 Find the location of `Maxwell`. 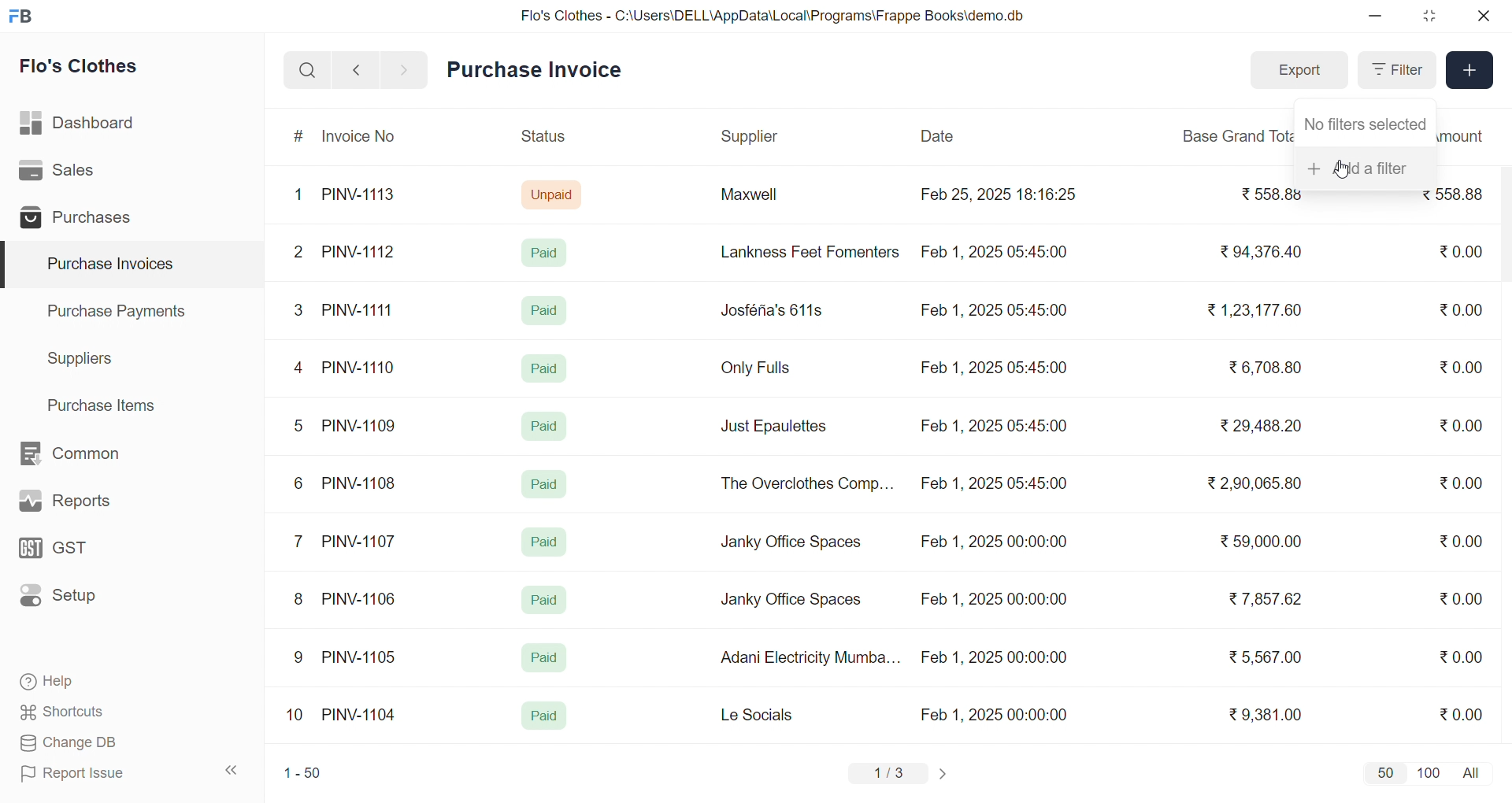

Maxwell is located at coordinates (767, 200).